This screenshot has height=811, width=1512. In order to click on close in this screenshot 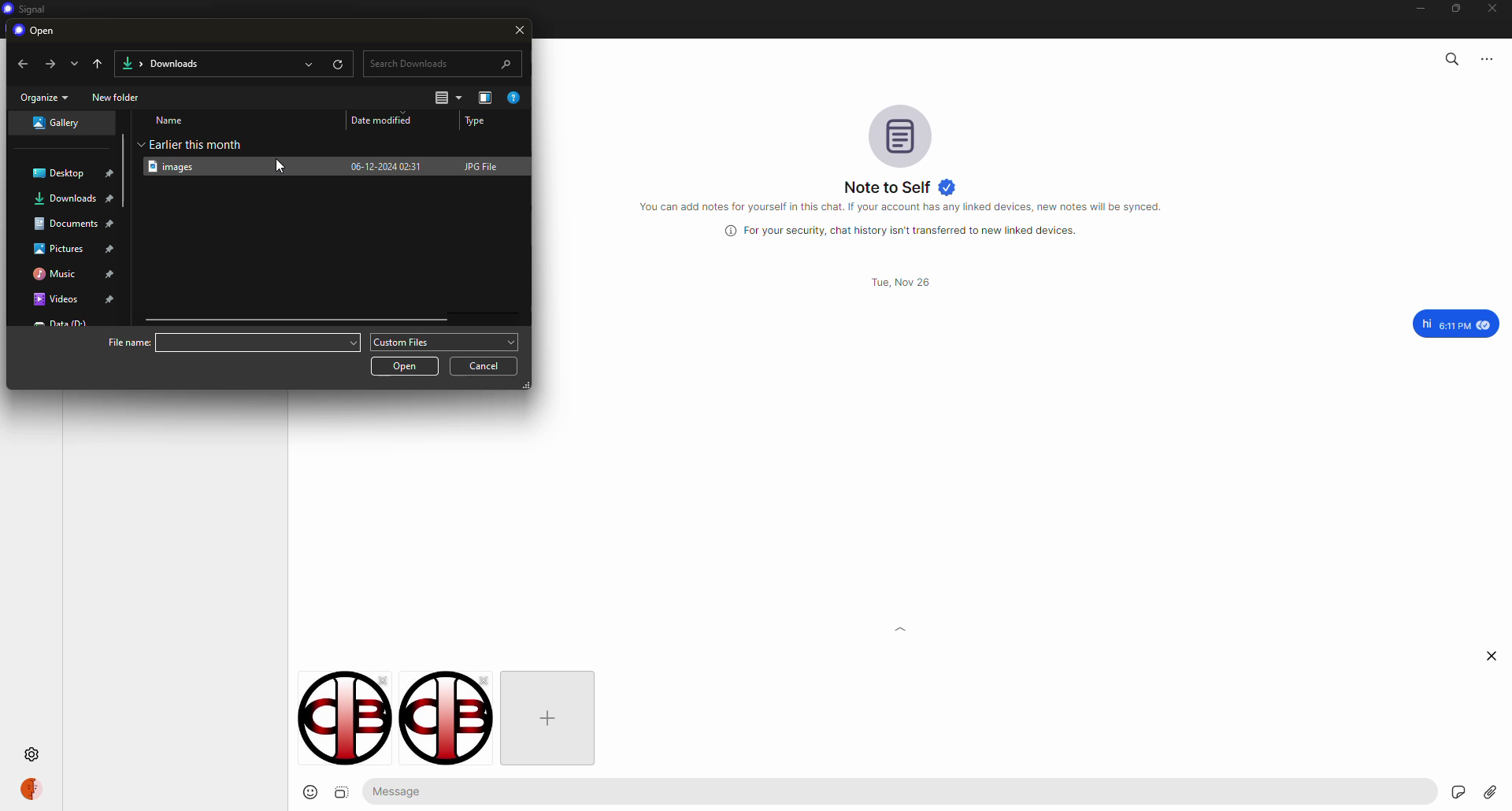, I will do `click(521, 31)`.